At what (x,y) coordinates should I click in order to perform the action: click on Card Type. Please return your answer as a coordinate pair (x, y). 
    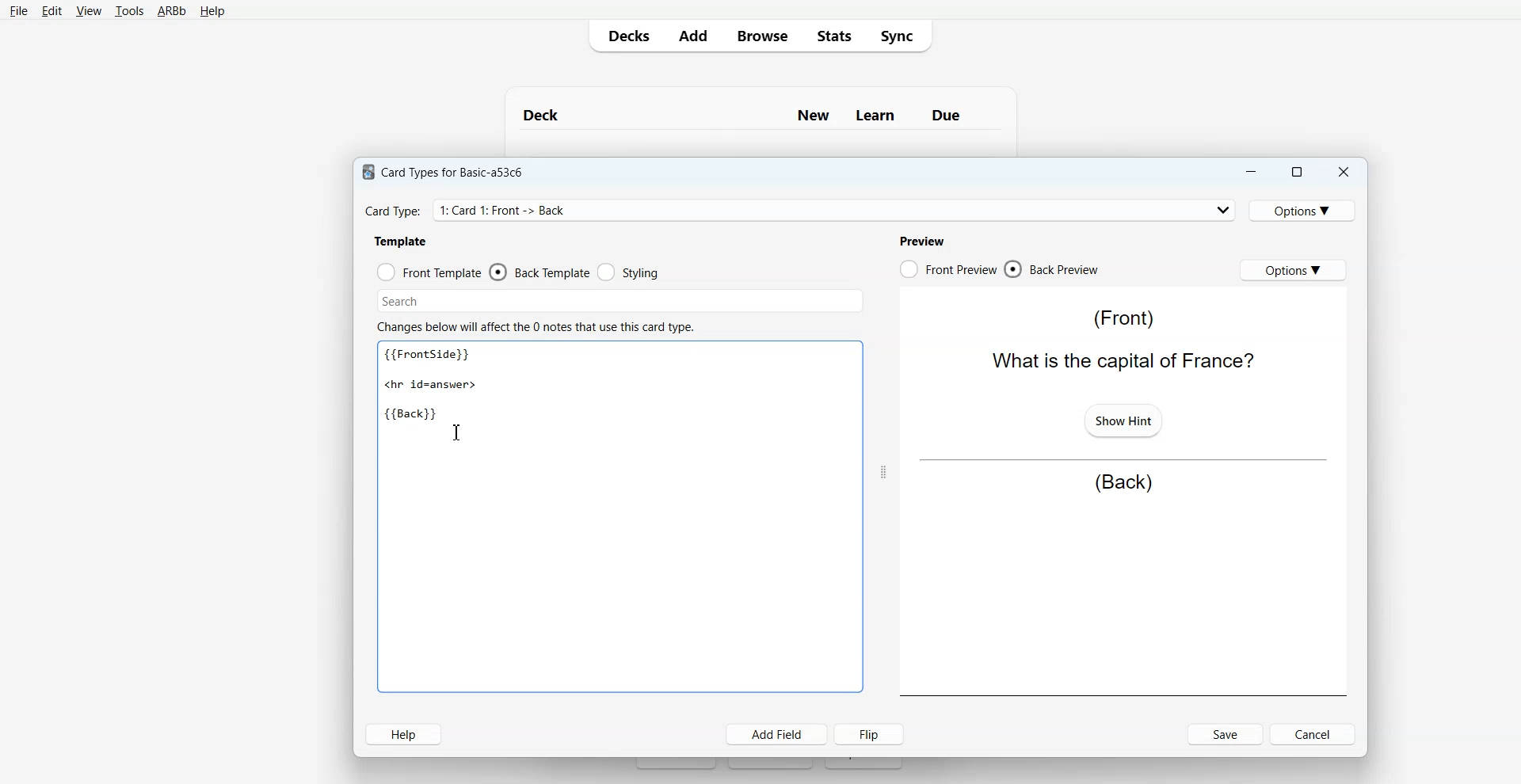
    Looking at the image, I should click on (801, 210).